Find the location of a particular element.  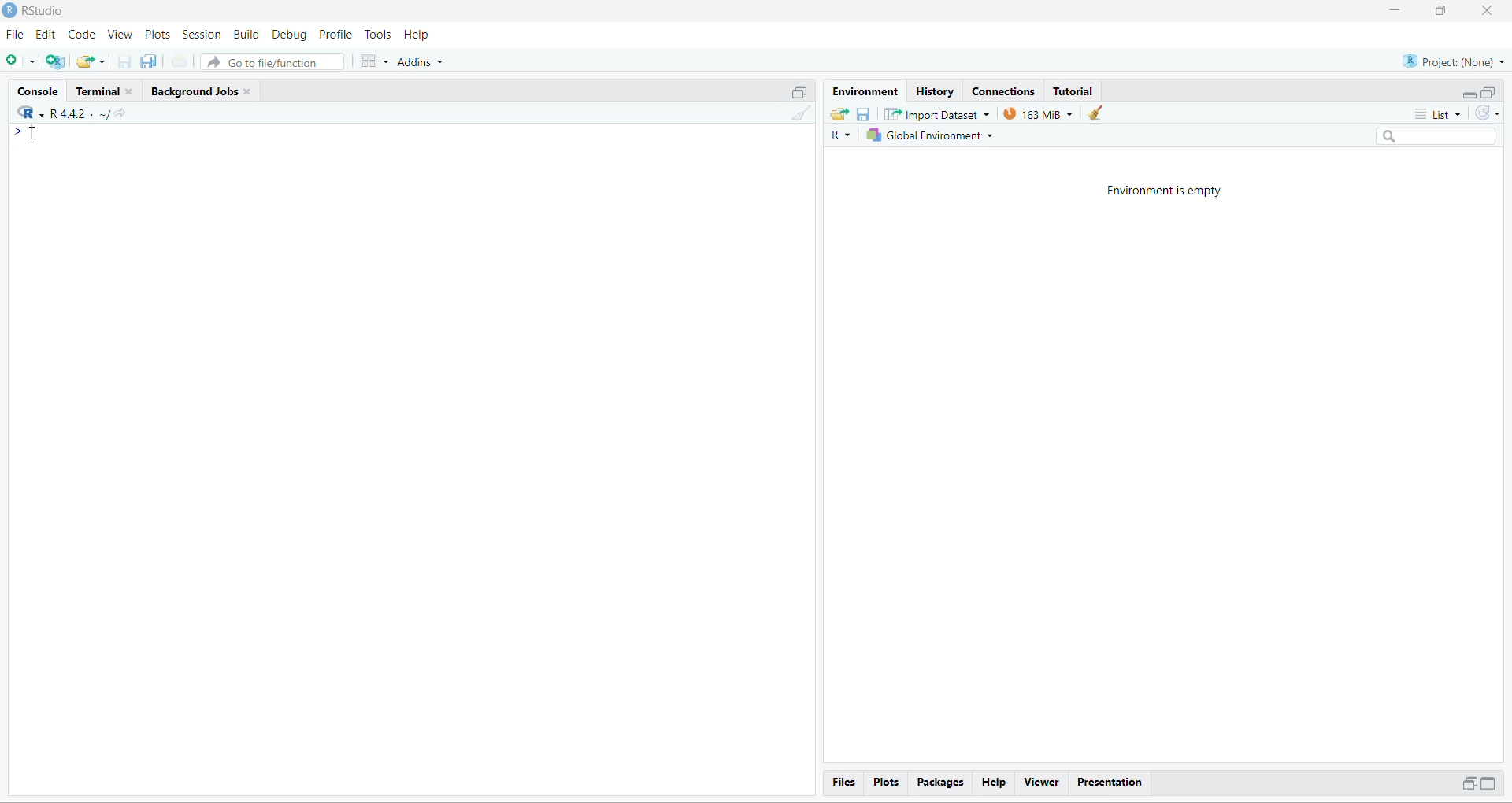

Tools is located at coordinates (376, 35).